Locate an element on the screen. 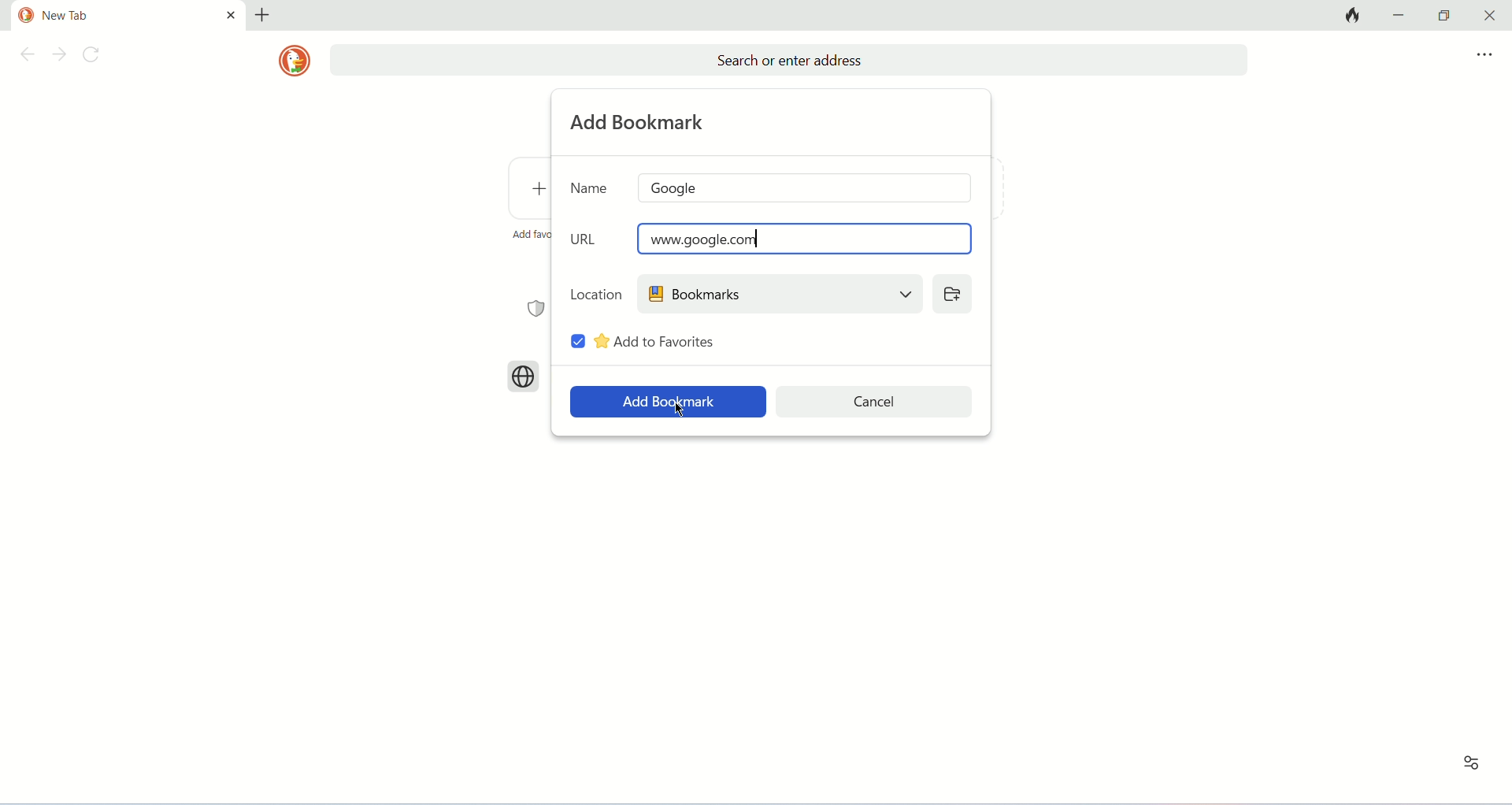 The width and height of the screenshot is (1512, 805). more options is located at coordinates (1484, 55).